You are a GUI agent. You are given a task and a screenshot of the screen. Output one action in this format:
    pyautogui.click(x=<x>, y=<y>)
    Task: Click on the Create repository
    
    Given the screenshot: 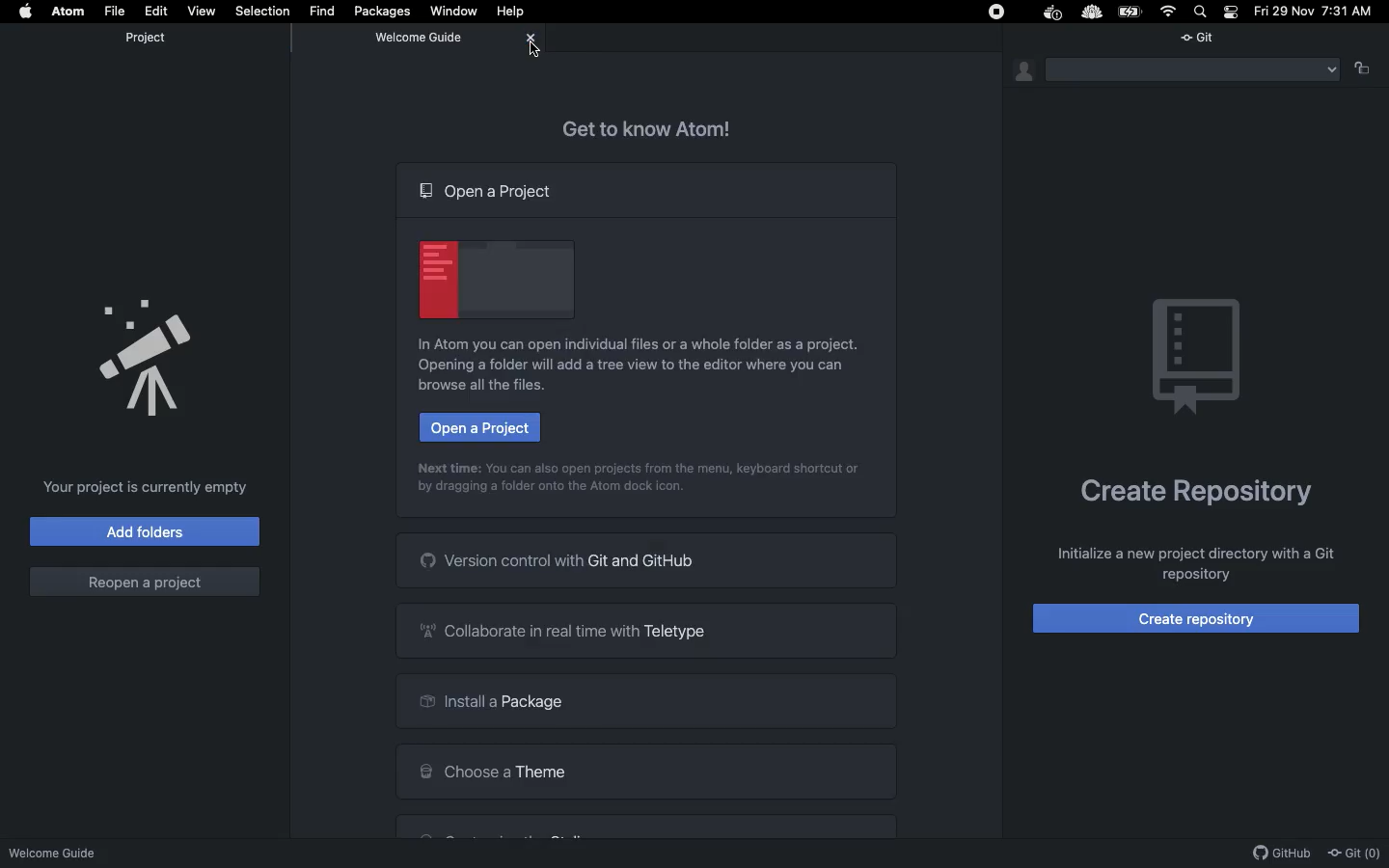 What is the action you would take?
    pyautogui.click(x=1197, y=619)
    